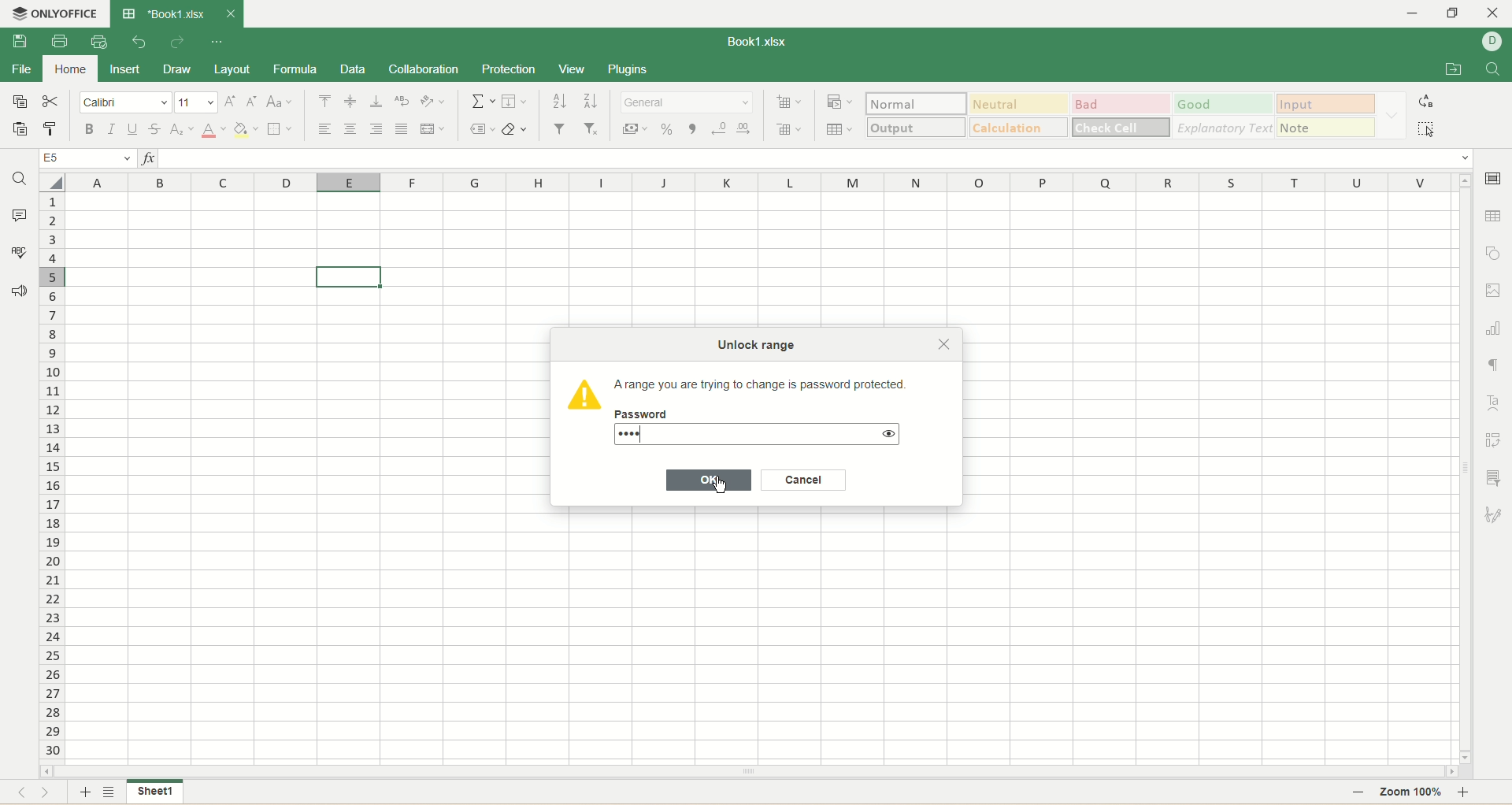 This screenshot has width=1512, height=805. What do you see at coordinates (1431, 133) in the screenshot?
I see `select all` at bounding box center [1431, 133].